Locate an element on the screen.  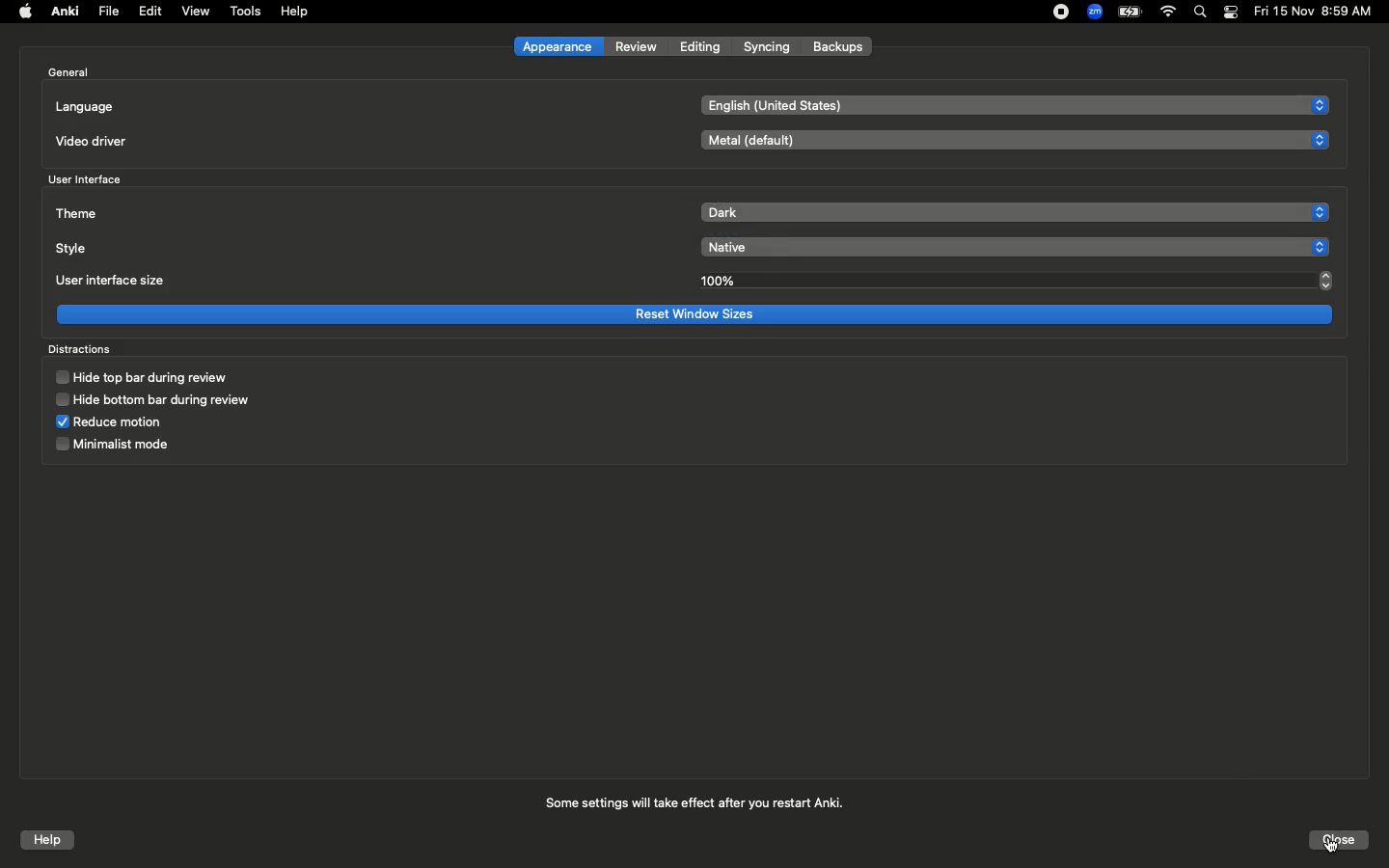
Reset window sizes is located at coordinates (696, 314).